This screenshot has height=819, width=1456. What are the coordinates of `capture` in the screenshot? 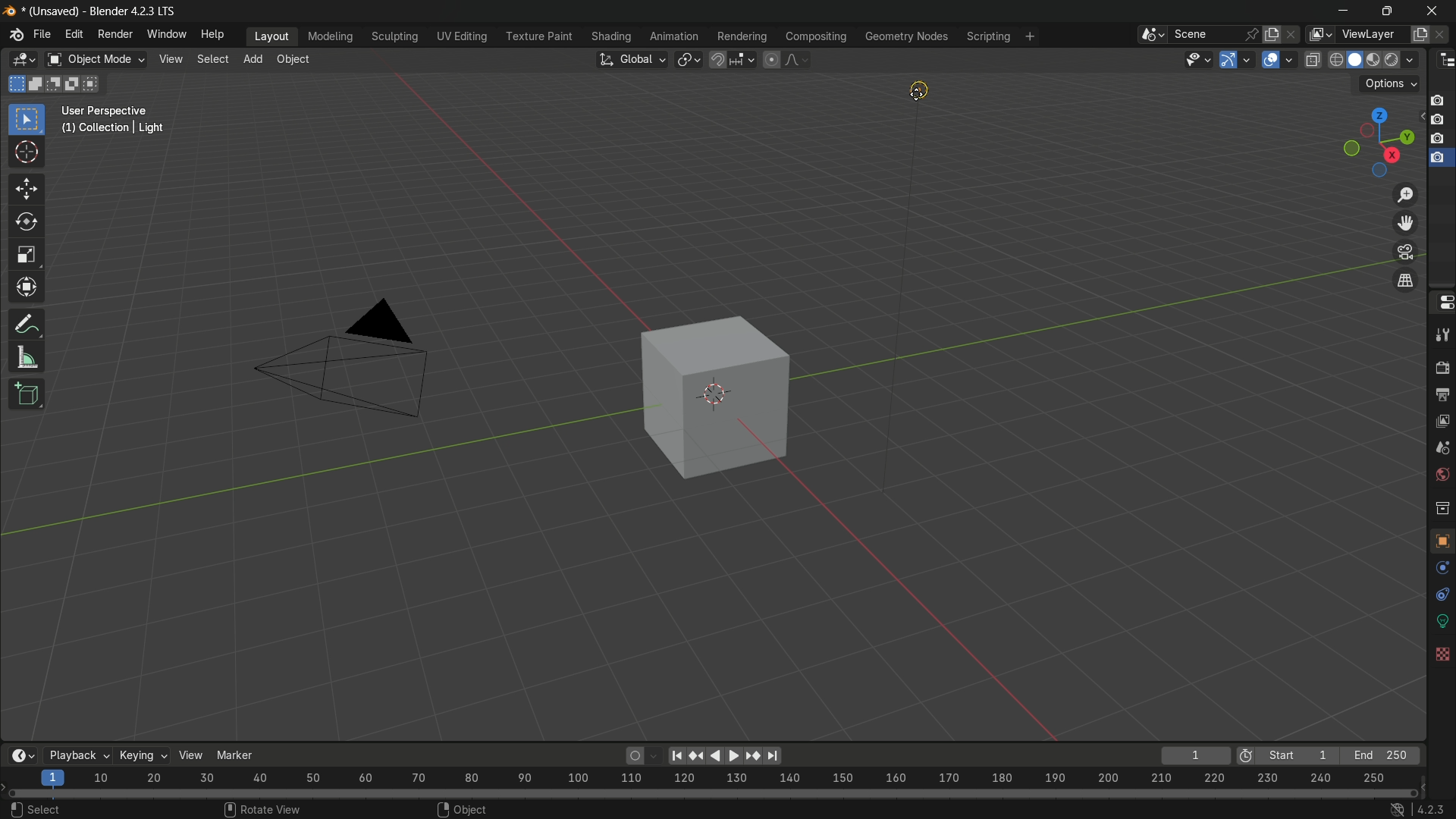 It's located at (1438, 96).